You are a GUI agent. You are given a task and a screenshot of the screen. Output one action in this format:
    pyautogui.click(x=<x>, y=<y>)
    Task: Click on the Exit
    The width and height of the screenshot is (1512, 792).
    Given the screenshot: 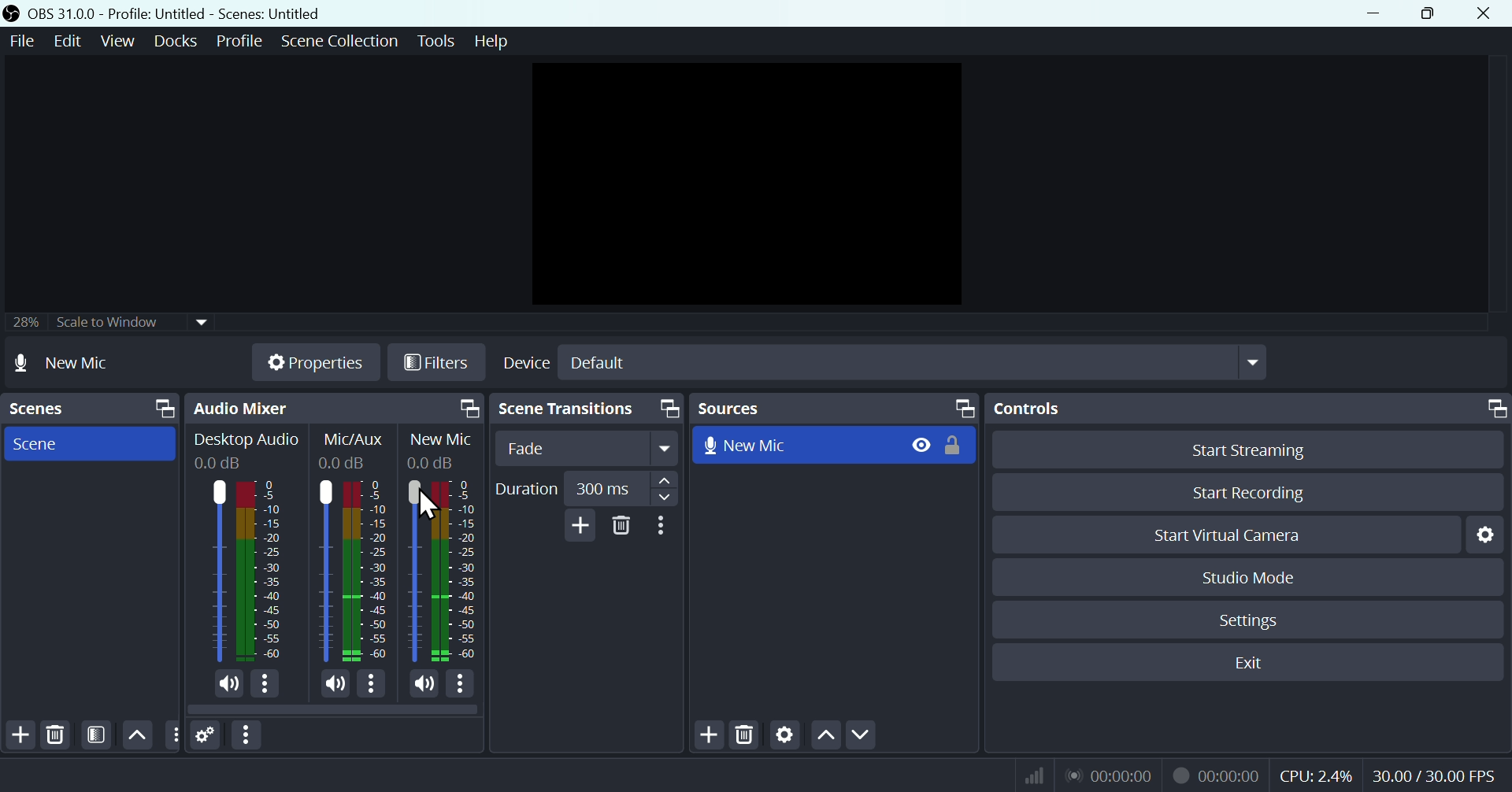 What is the action you would take?
    pyautogui.click(x=1258, y=663)
    